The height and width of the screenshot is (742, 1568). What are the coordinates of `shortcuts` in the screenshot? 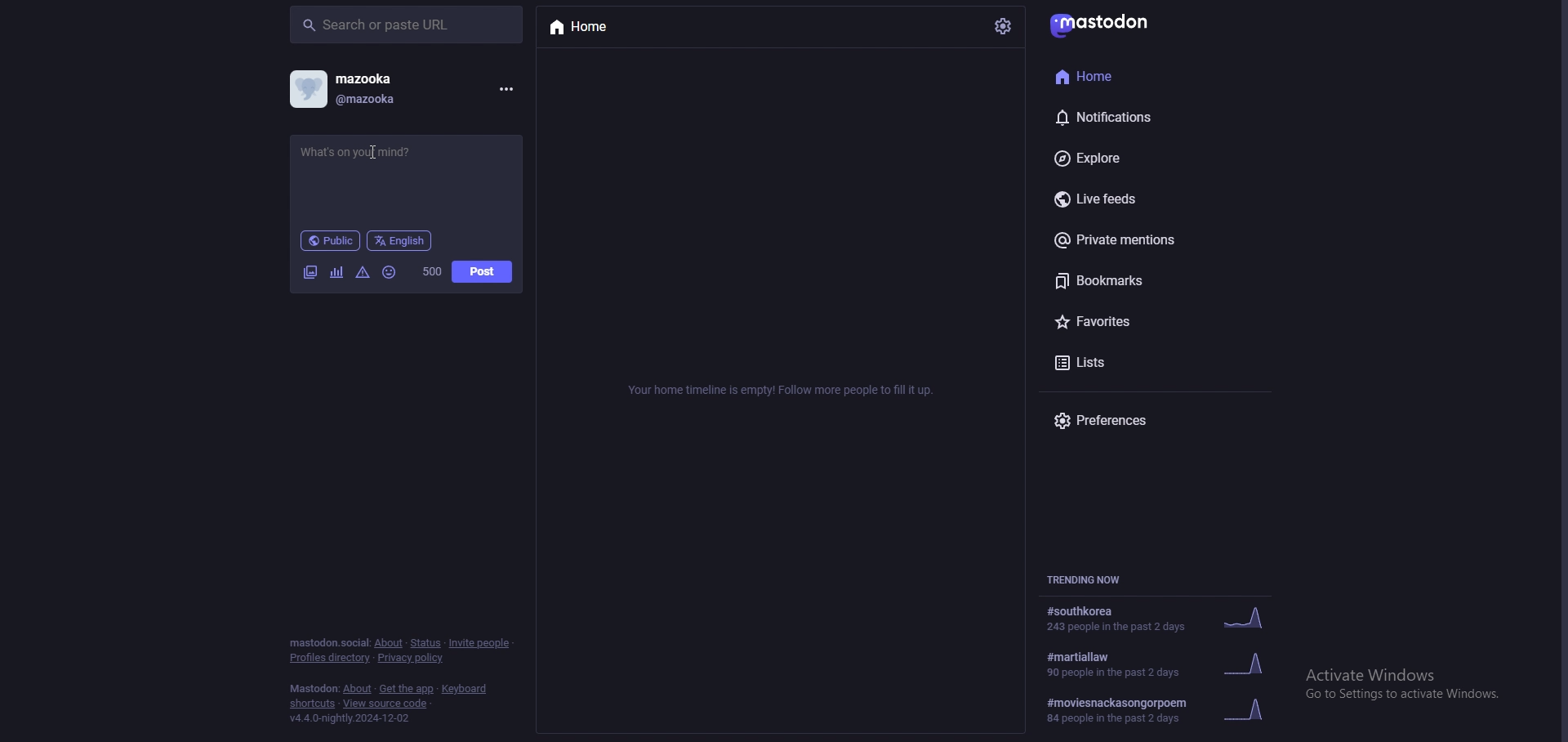 It's located at (313, 704).